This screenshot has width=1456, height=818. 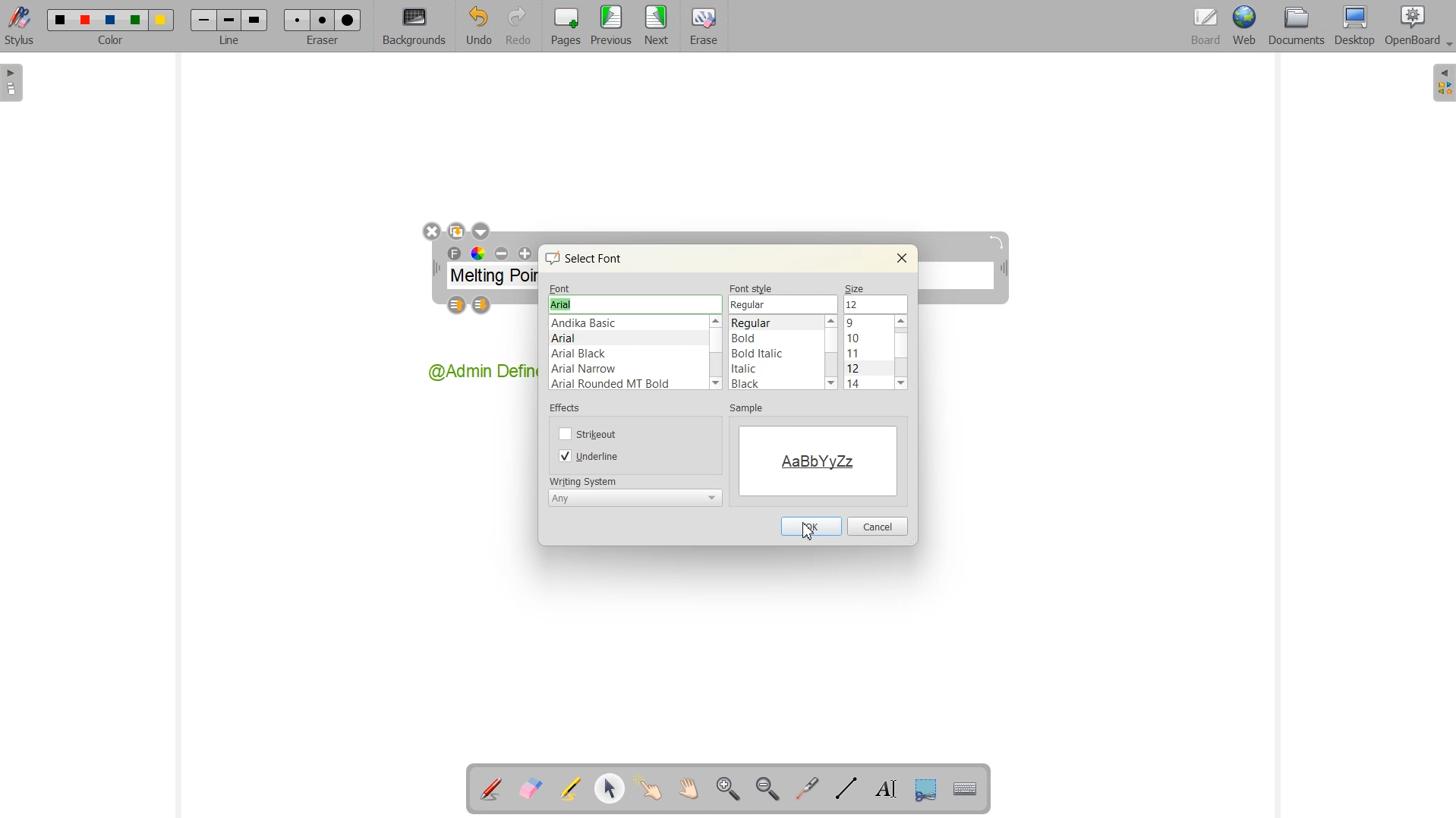 What do you see at coordinates (21, 27) in the screenshot?
I see `Stylus` at bounding box center [21, 27].